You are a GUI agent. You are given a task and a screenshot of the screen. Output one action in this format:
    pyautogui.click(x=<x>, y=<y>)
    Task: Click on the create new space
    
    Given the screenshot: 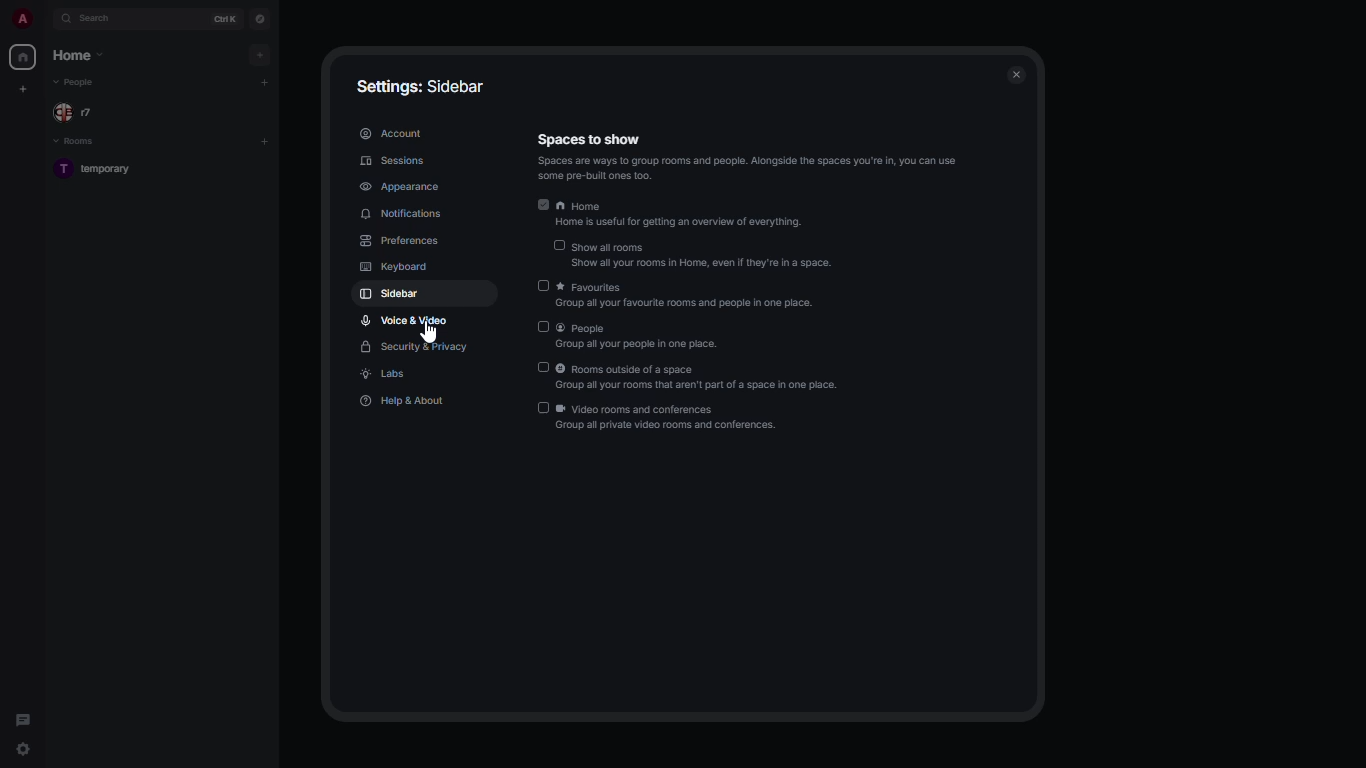 What is the action you would take?
    pyautogui.click(x=24, y=88)
    